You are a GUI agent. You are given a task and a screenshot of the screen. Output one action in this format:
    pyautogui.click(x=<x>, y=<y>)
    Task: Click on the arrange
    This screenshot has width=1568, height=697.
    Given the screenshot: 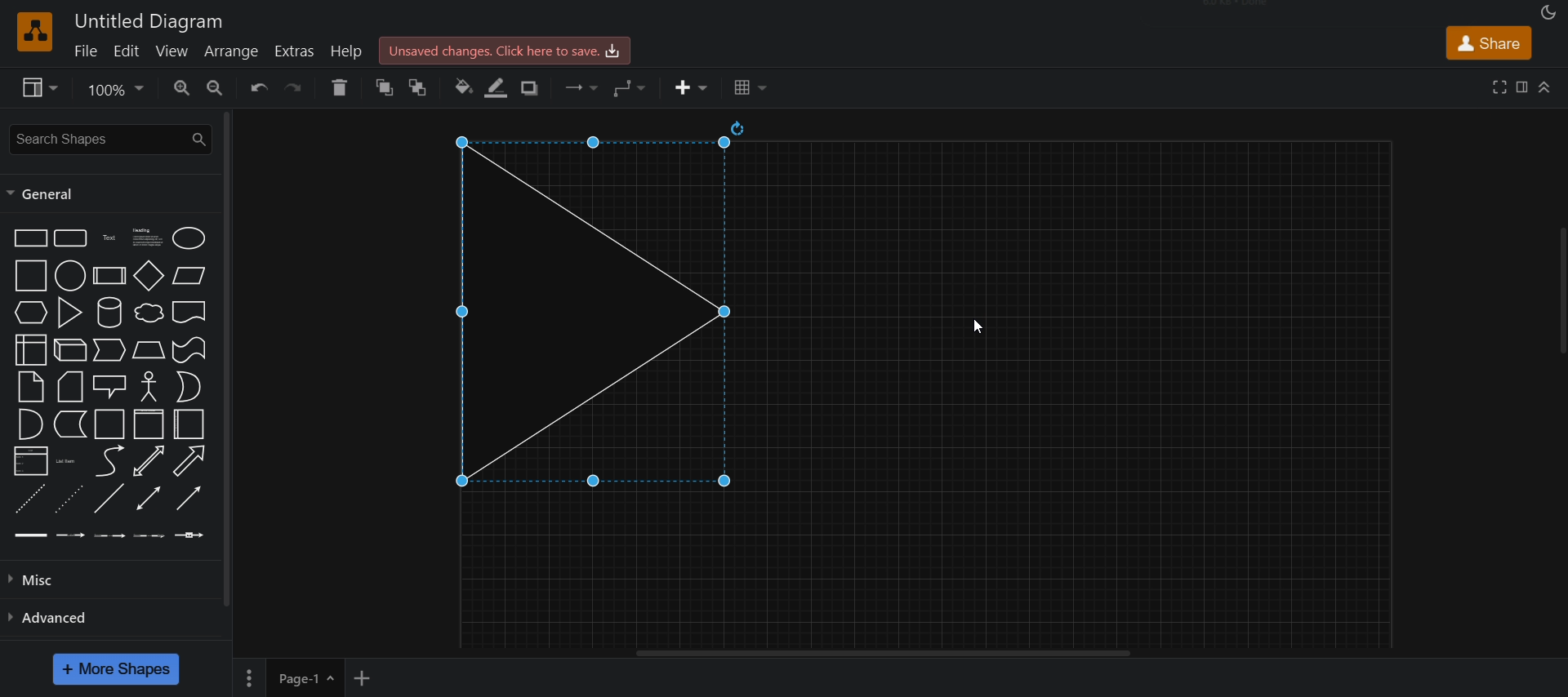 What is the action you would take?
    pyautogui.click(x=234, y=52)
    